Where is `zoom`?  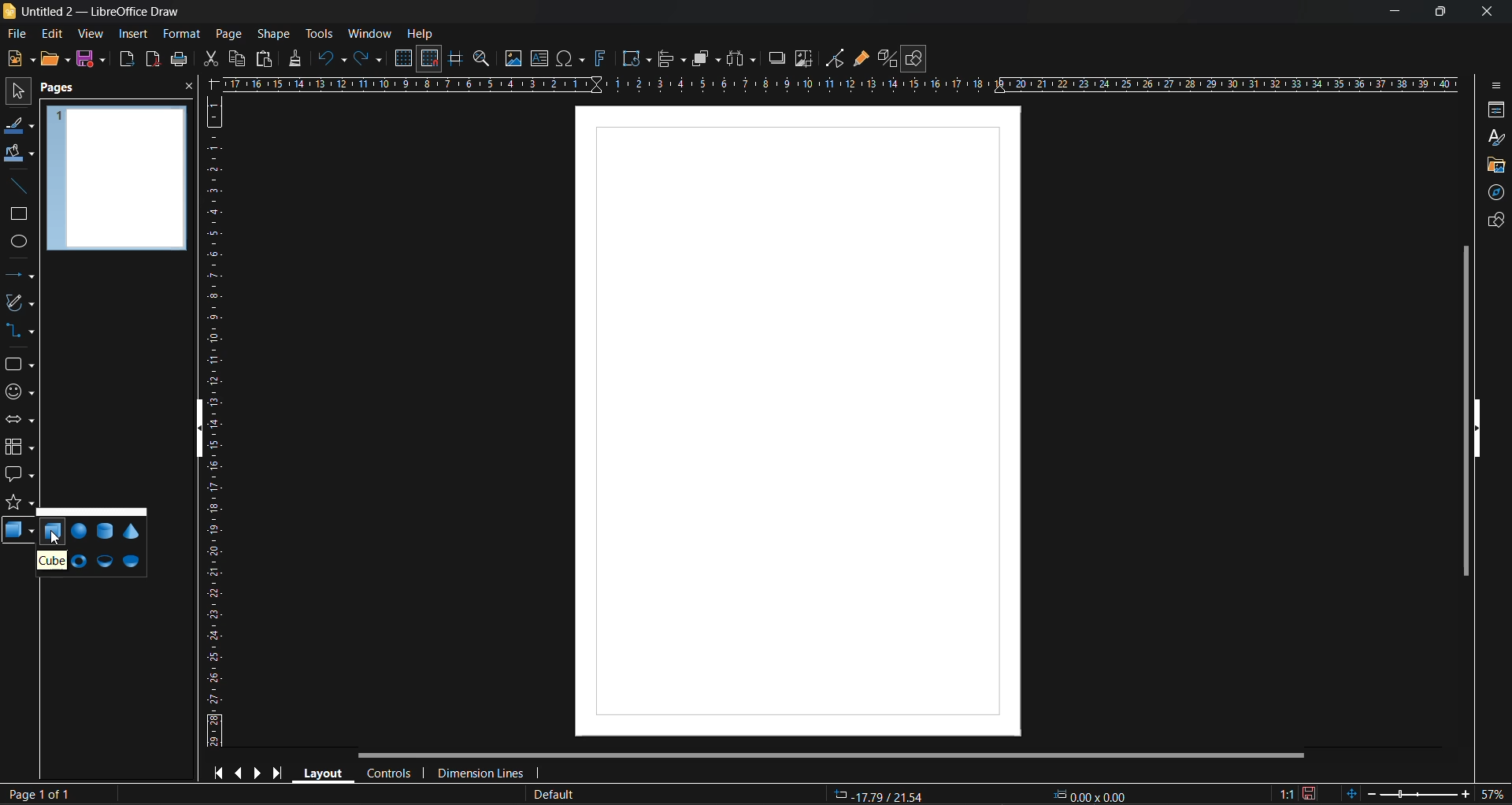 zoom is located at coordinates (484, 61).